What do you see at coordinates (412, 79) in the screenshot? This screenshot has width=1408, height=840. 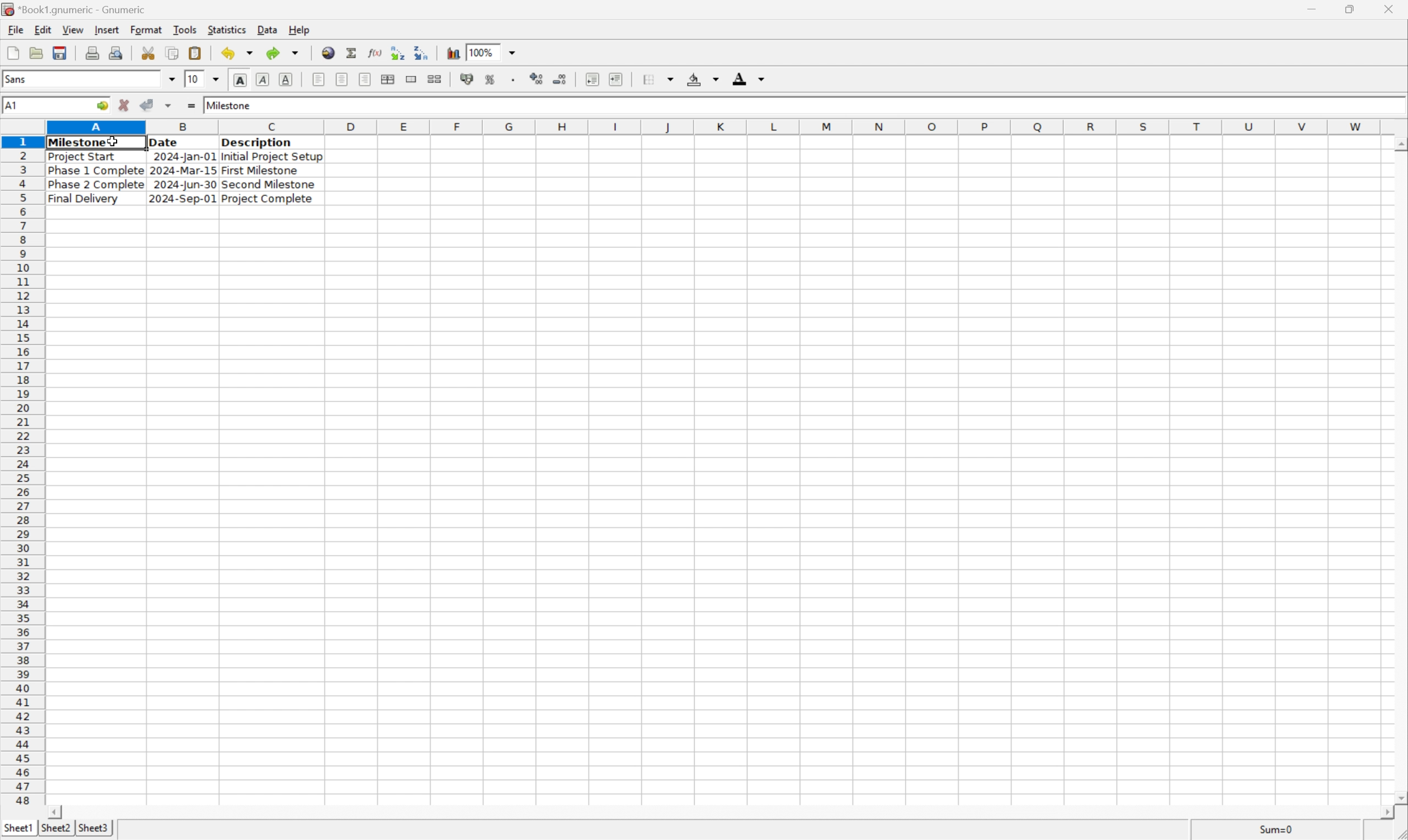 I see `merge a range of cells` at bounding box center [412, 79].